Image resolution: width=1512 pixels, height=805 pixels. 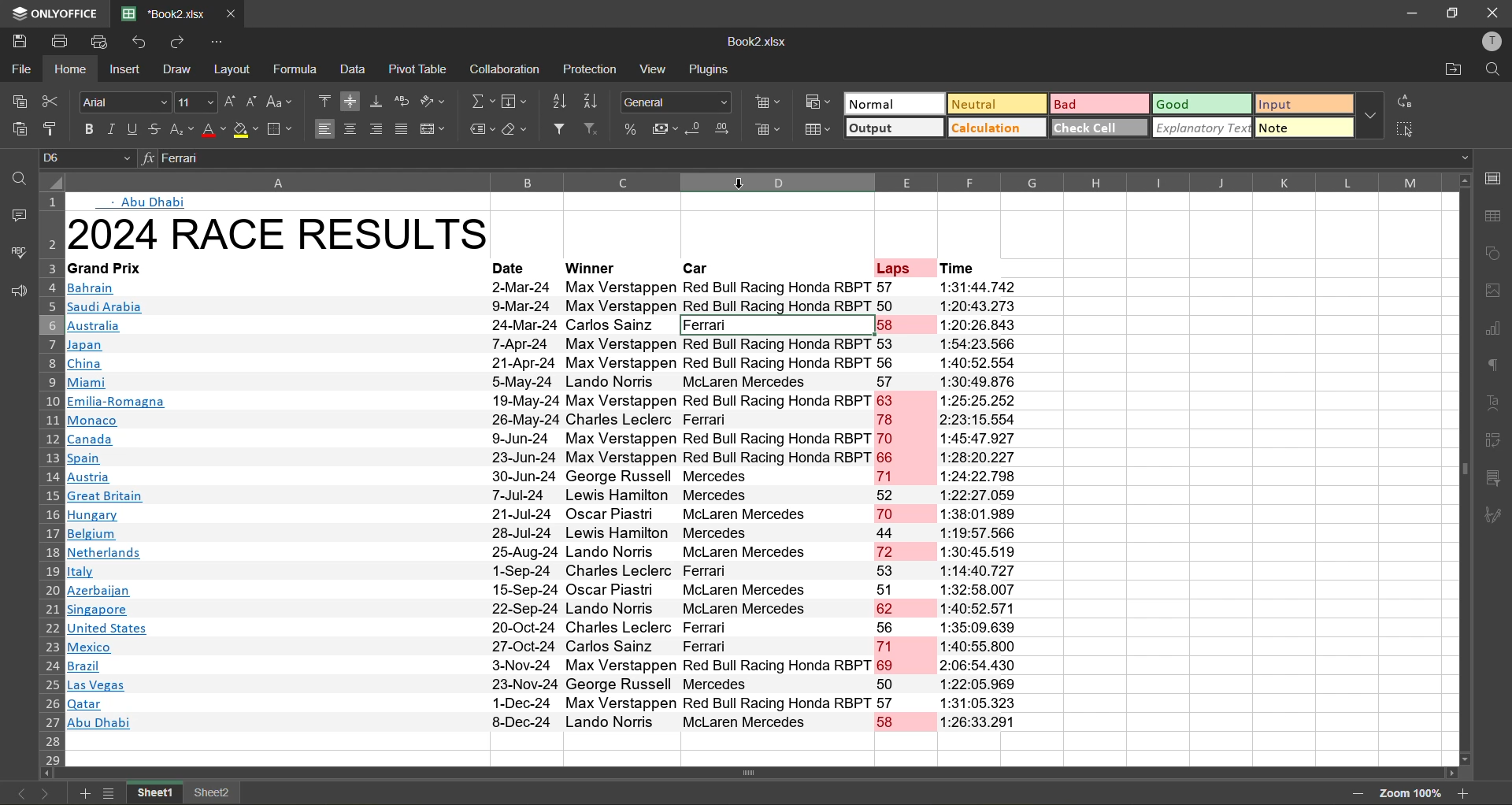 What do you see at coordinates (110, 795) in the screenshot?
I see `sheet list` at bounding box center [110, 795].